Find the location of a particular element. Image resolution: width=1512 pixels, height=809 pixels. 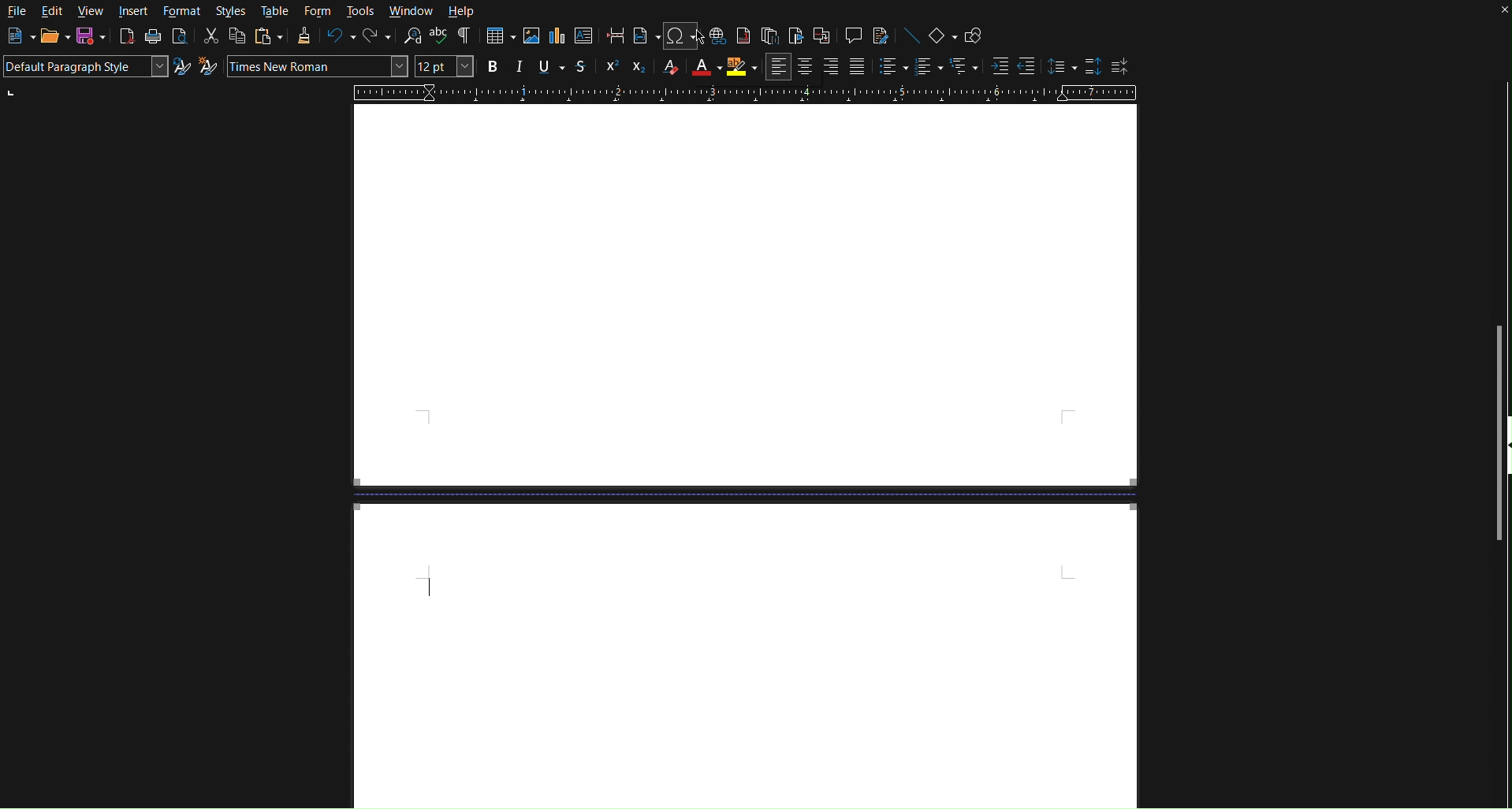

Align Right is located at coordinates (832, 66).